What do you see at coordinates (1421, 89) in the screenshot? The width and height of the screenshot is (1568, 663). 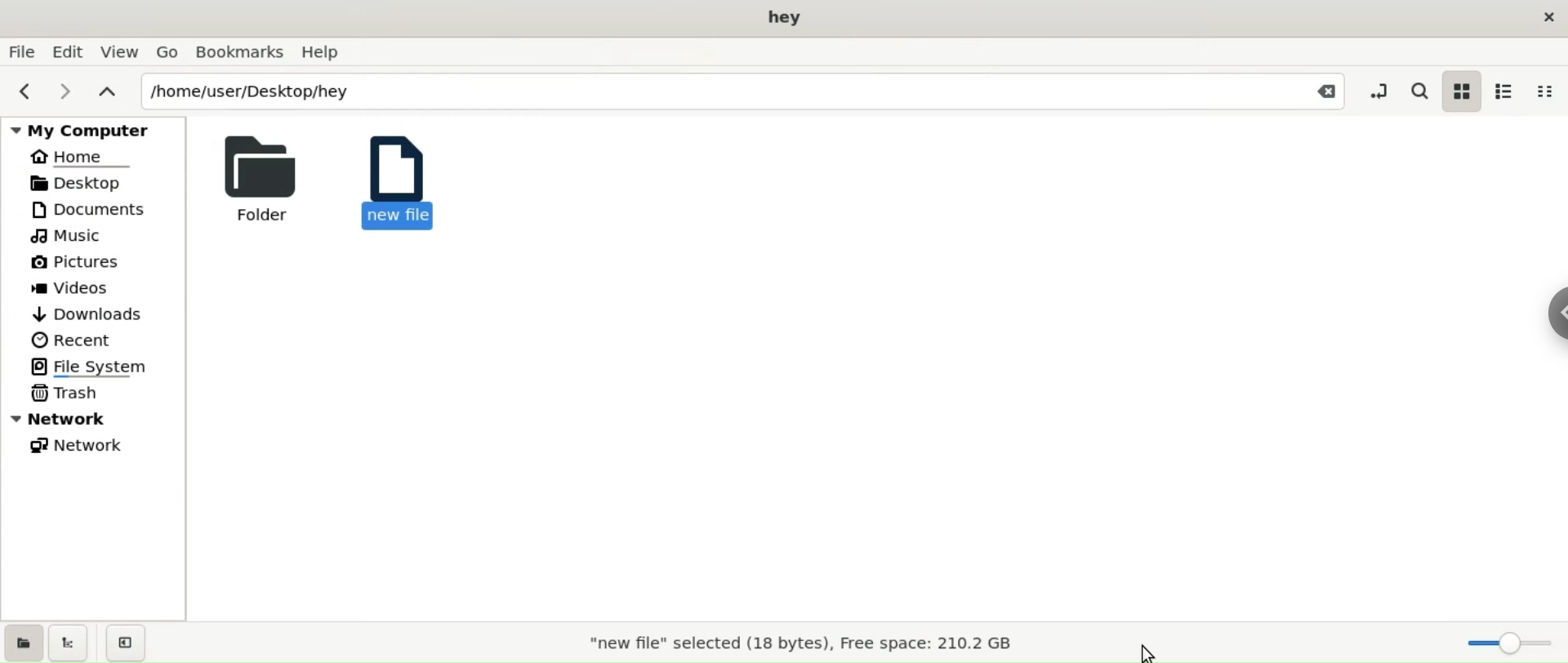 I see `search` at bounding box center [1421, 89].